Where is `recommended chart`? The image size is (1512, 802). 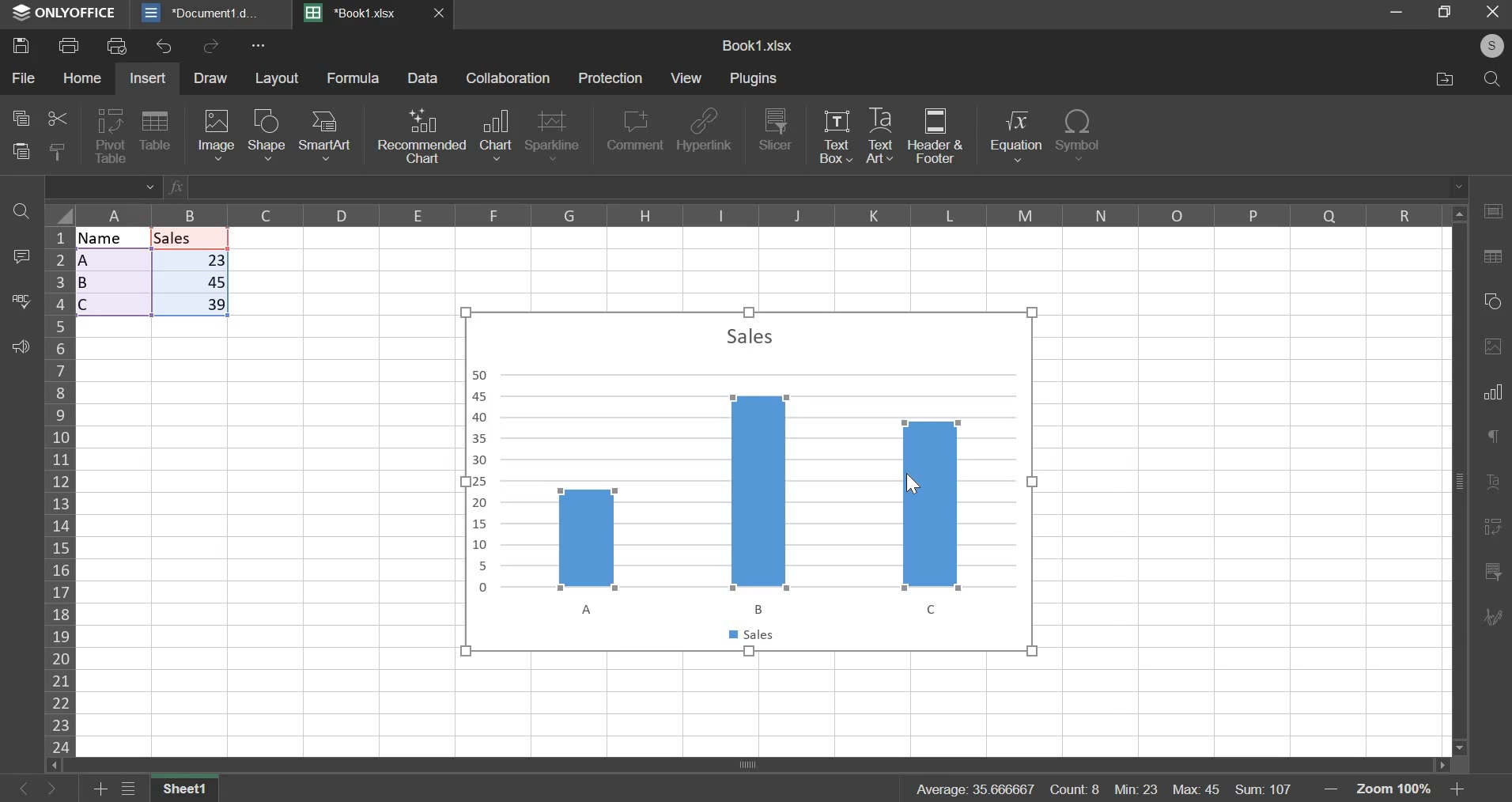 recommended chart is located at coordinates (421, 135).